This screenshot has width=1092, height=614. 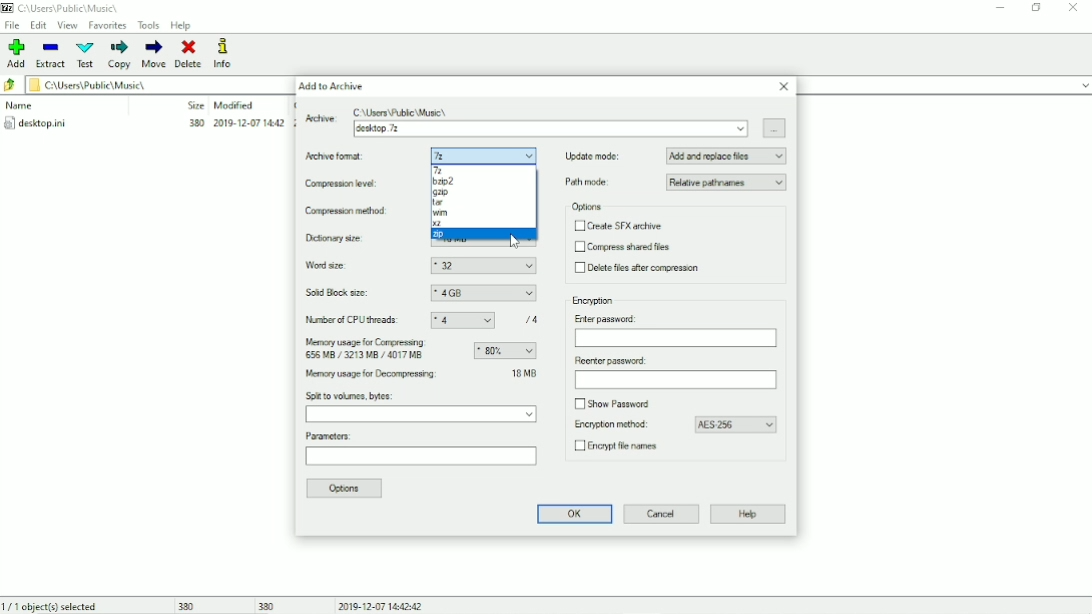 I want to click on Restore down, so click(x=1038, y=7).